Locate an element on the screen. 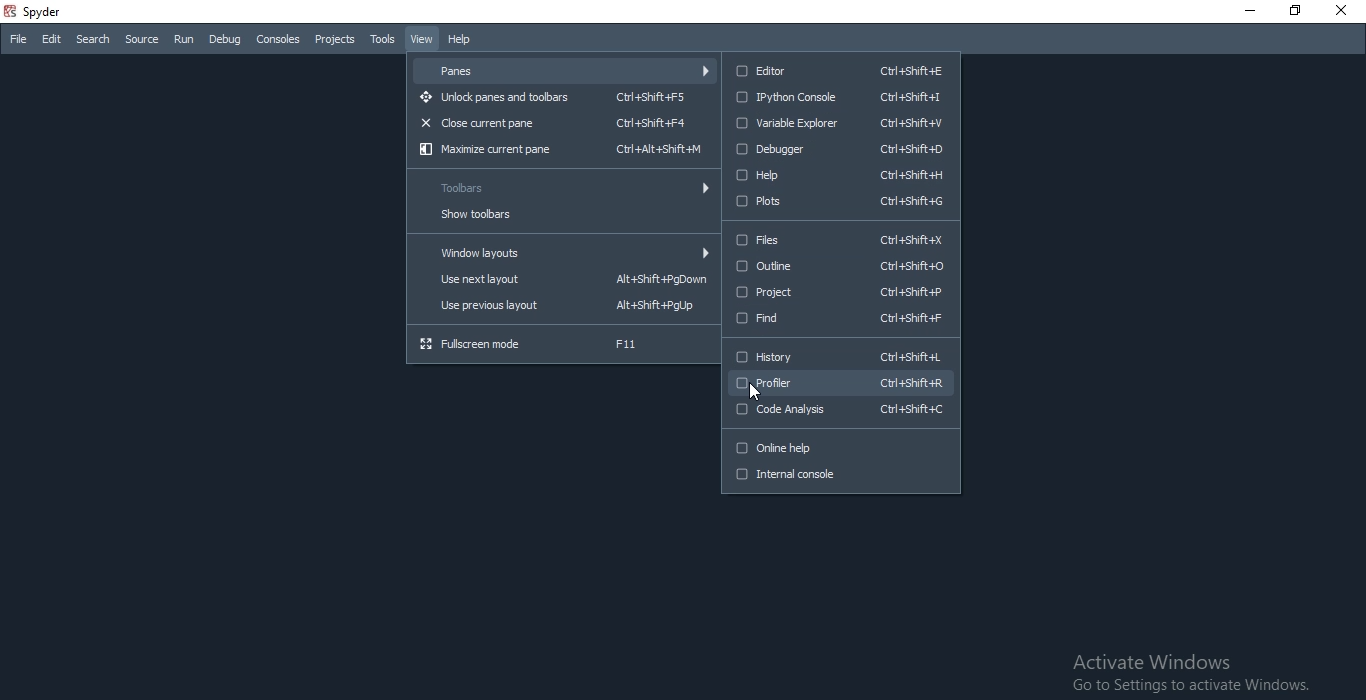  File is located at coordinates (18, 42).